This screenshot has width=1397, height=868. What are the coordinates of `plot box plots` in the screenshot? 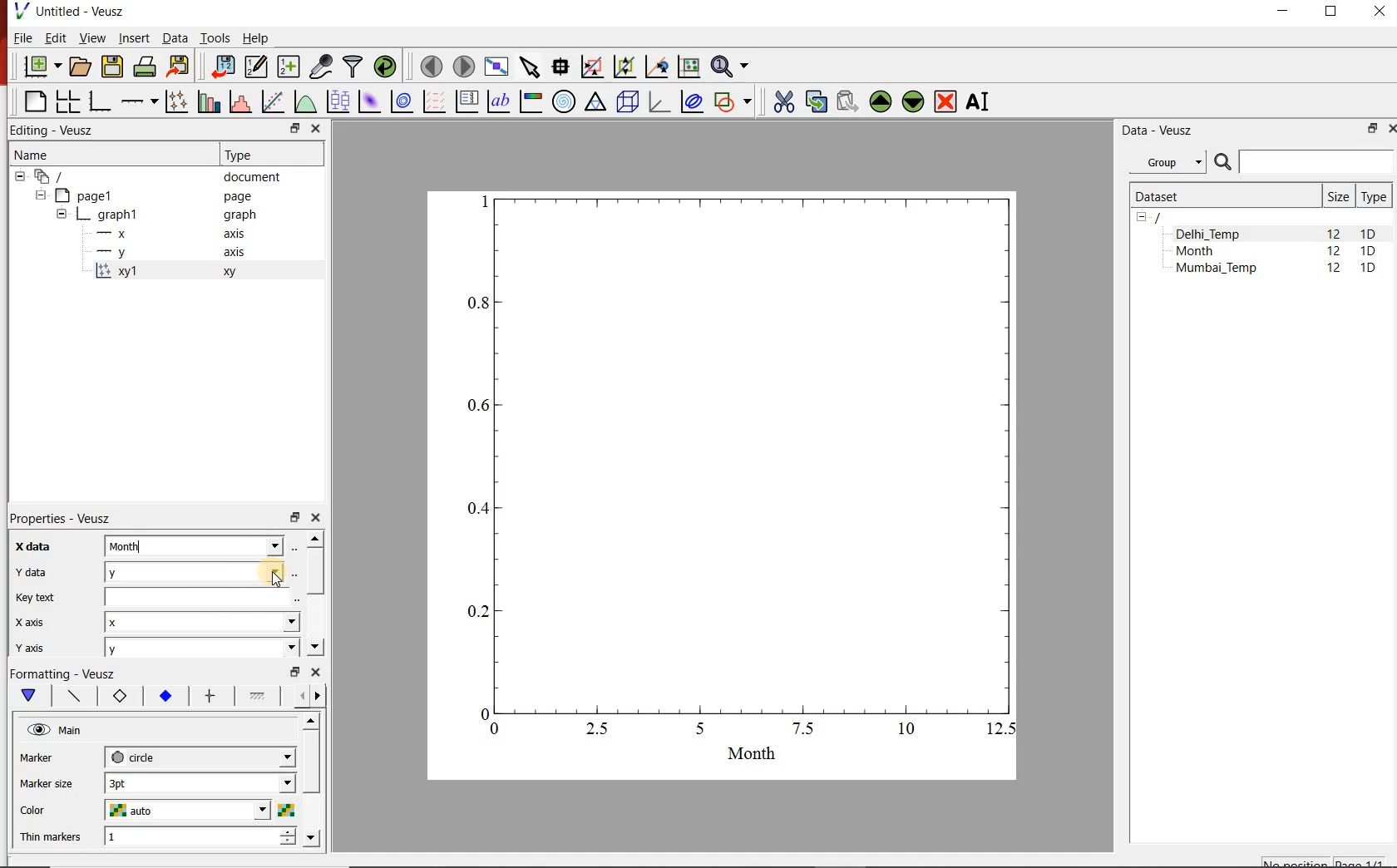 It's located at (338, 101).